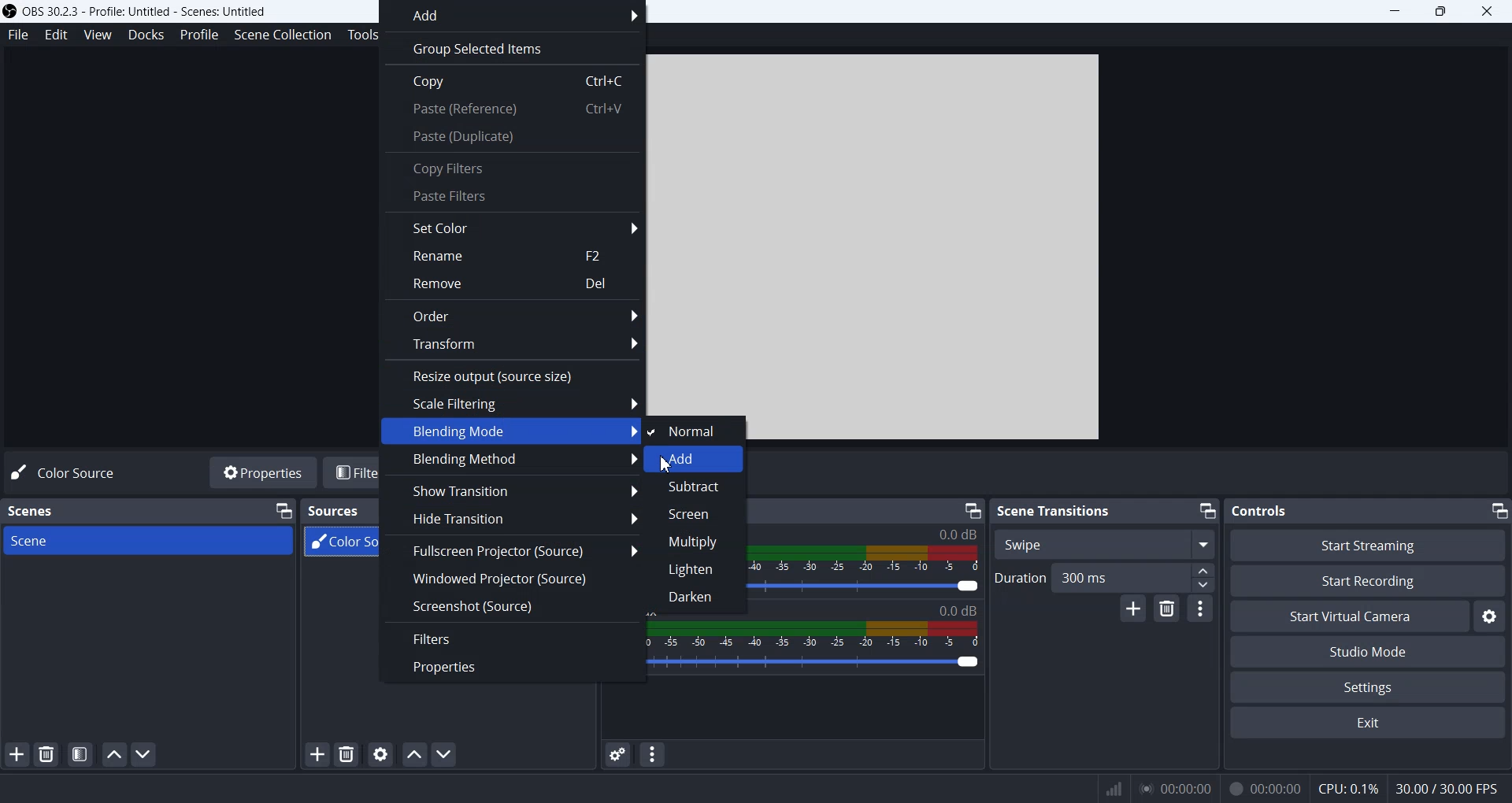 This screenshot has width=1512, height=803. I want to click on Multiply, so click(699, 540).